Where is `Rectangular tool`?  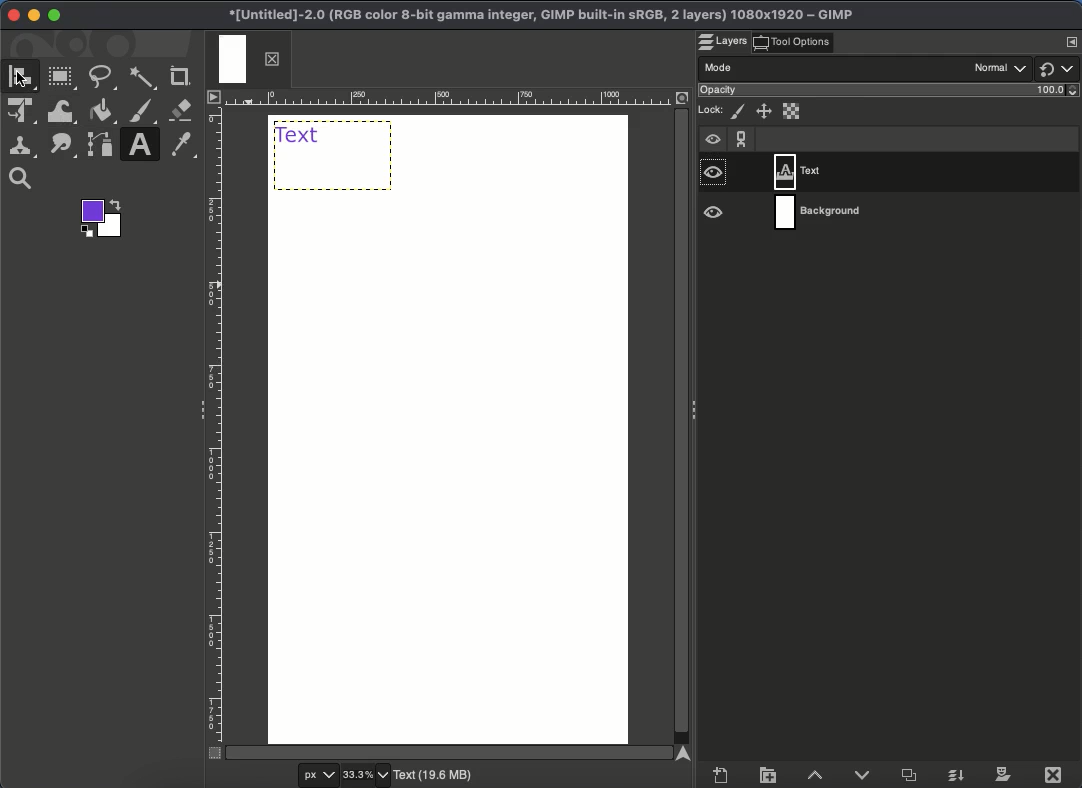 Rectangular tool is located at coordinates (63, 77).